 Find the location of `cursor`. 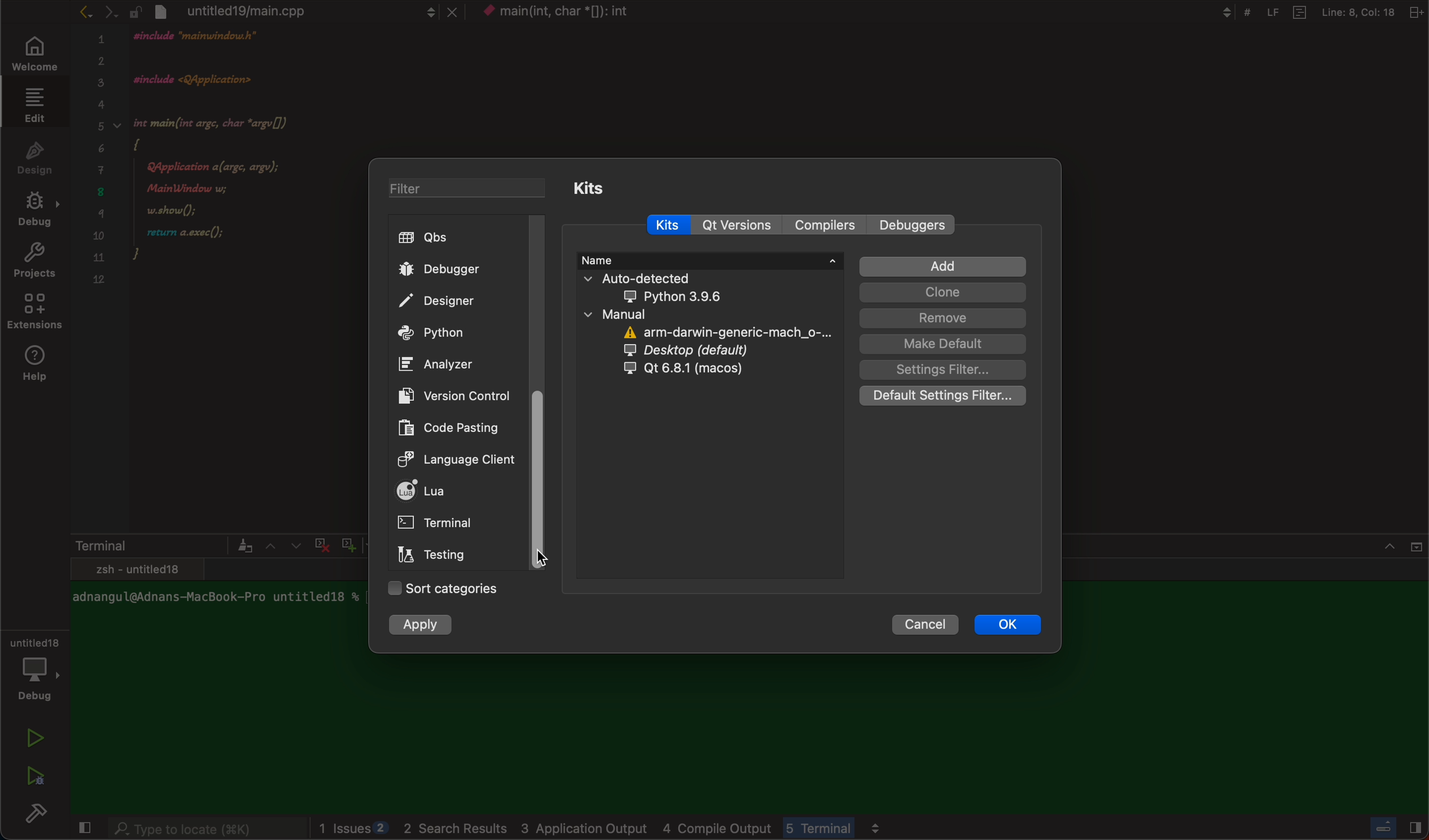

cursor is located at coordinates (545, 557).